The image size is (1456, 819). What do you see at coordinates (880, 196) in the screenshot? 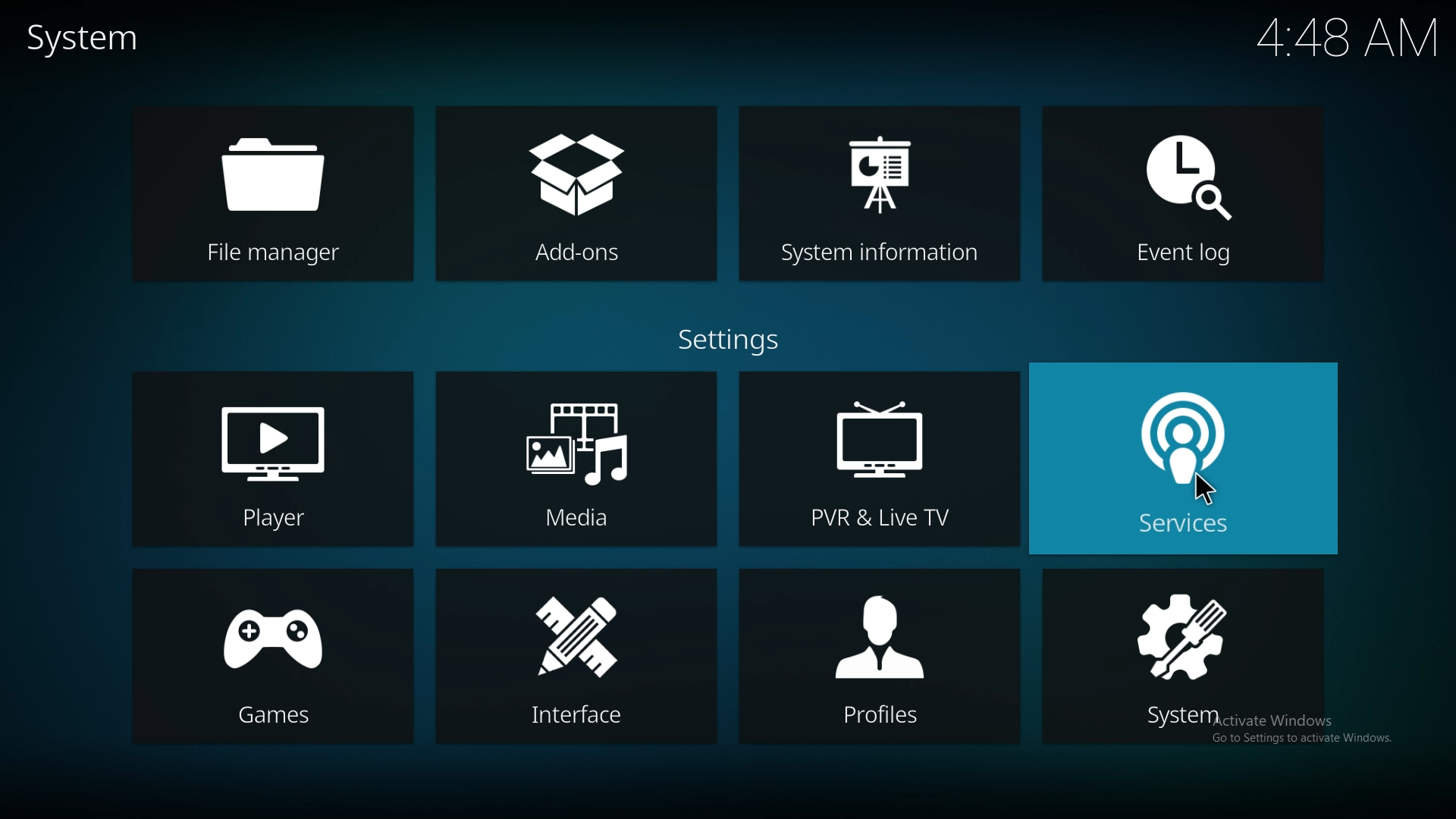
I see `system info` at bounding box center [880, 196].